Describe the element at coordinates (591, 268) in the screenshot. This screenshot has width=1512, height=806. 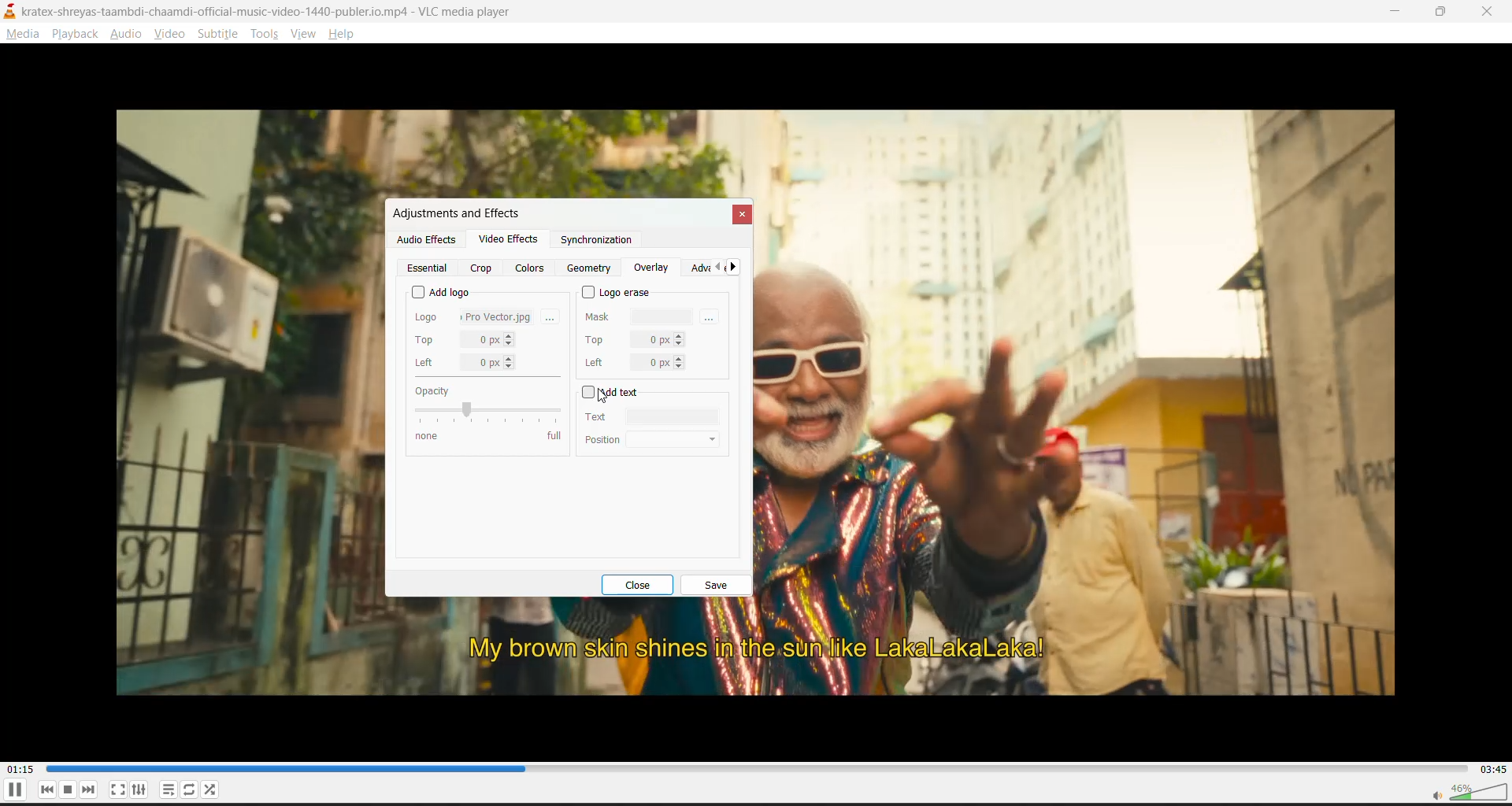
I see `geometry` at that location.